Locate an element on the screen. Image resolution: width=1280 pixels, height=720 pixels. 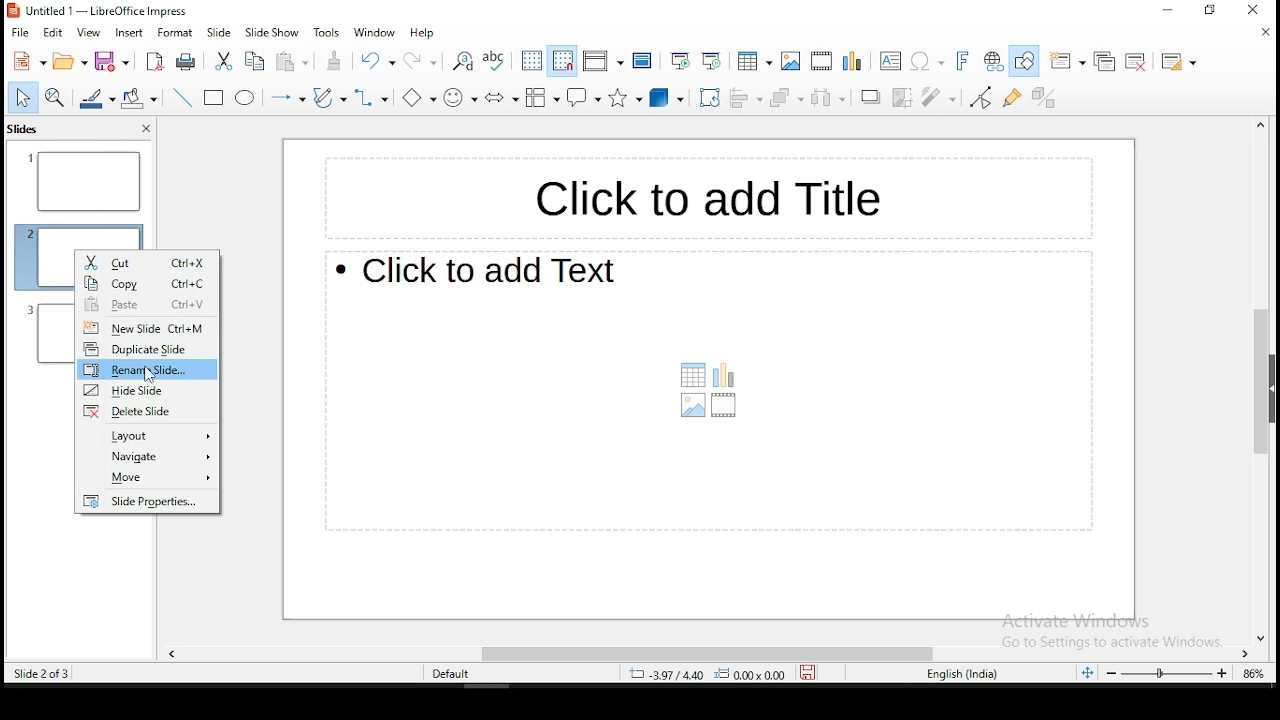
redo is located at coordinates (421, 59).